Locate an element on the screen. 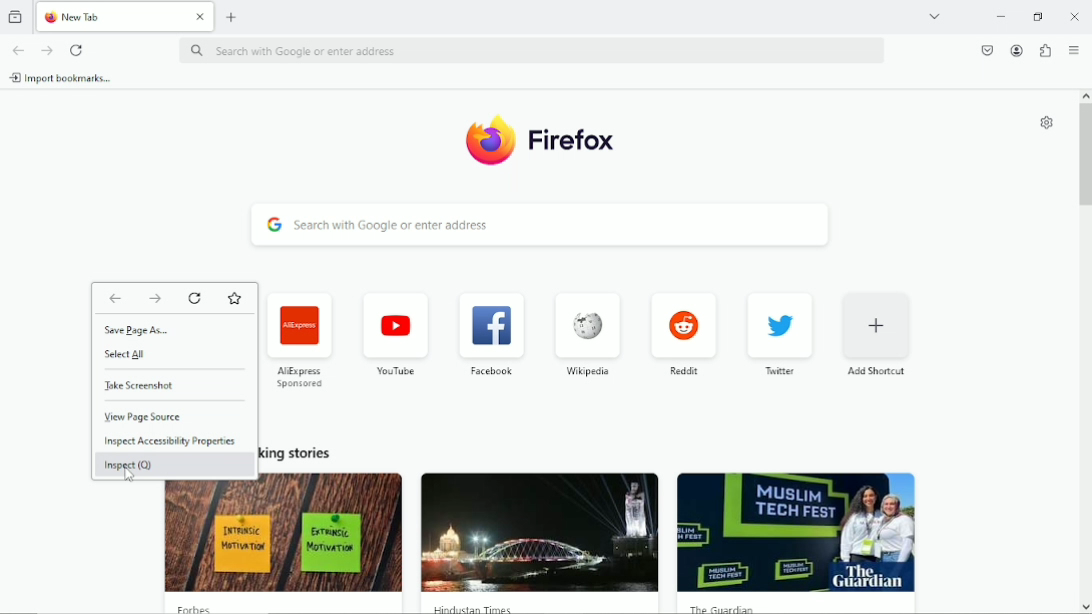 The width and height of the screenshot is (1092, 614). Search with google or enter address is located at coordinates (539, 225).